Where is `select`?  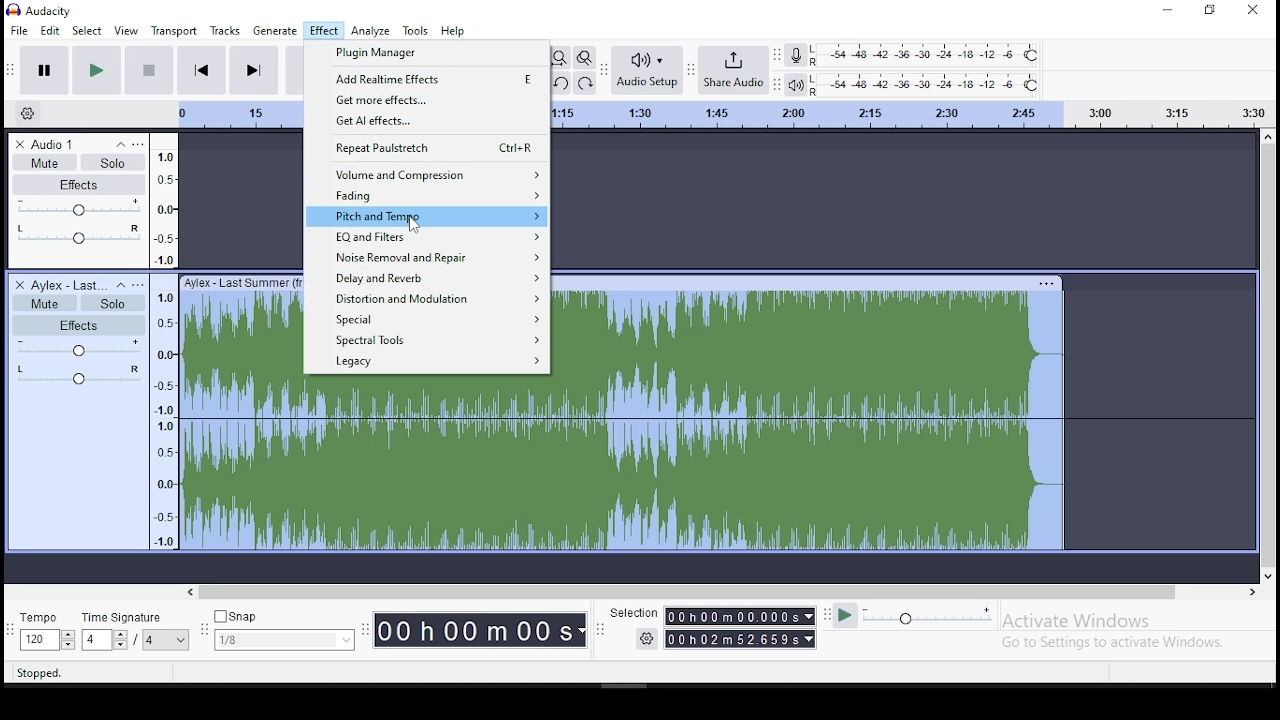 select is located at coordinates (85, 30).